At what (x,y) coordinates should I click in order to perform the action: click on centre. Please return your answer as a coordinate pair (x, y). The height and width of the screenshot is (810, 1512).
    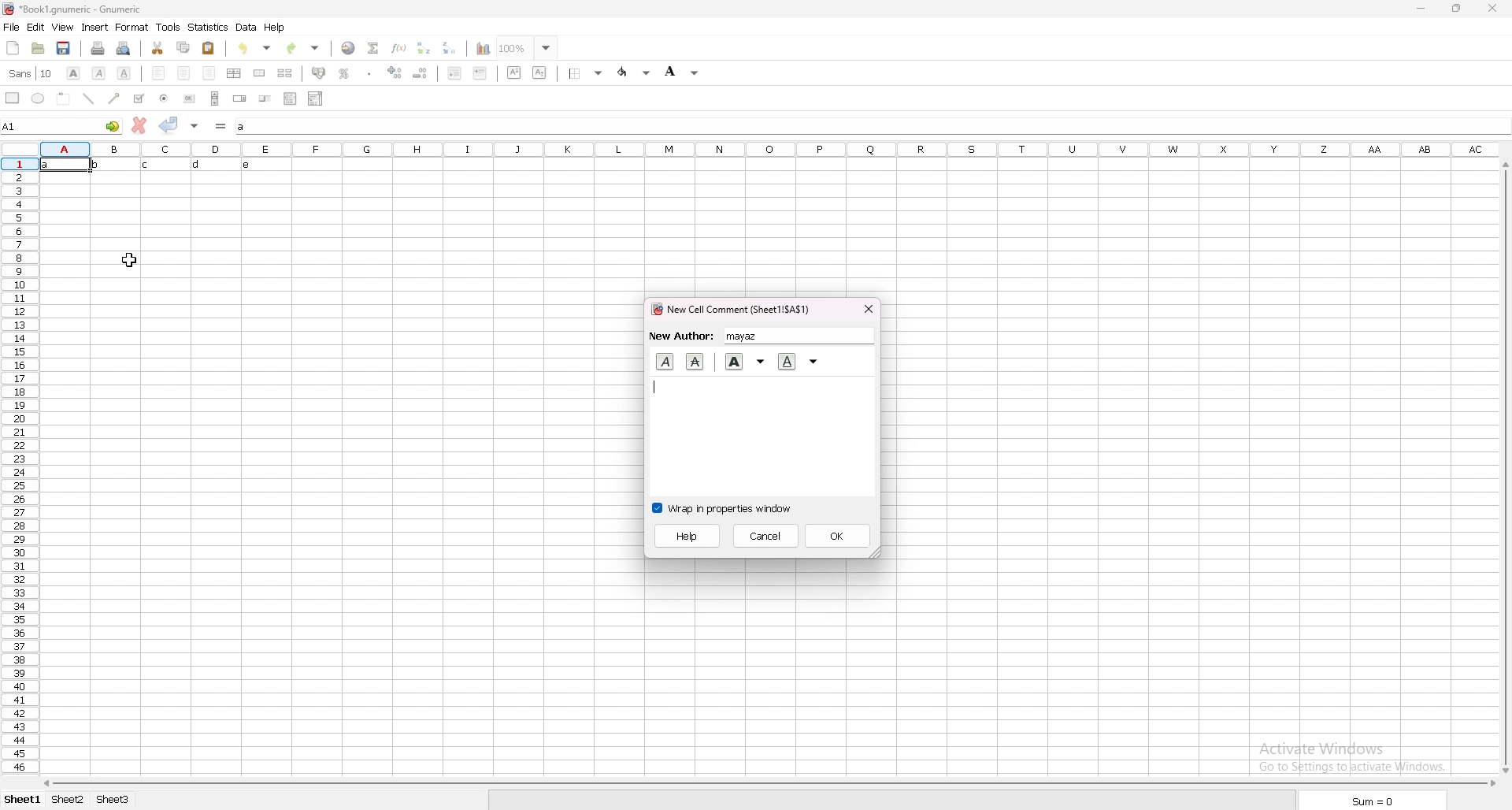
    Looking at the image, I should click on (183, 72).